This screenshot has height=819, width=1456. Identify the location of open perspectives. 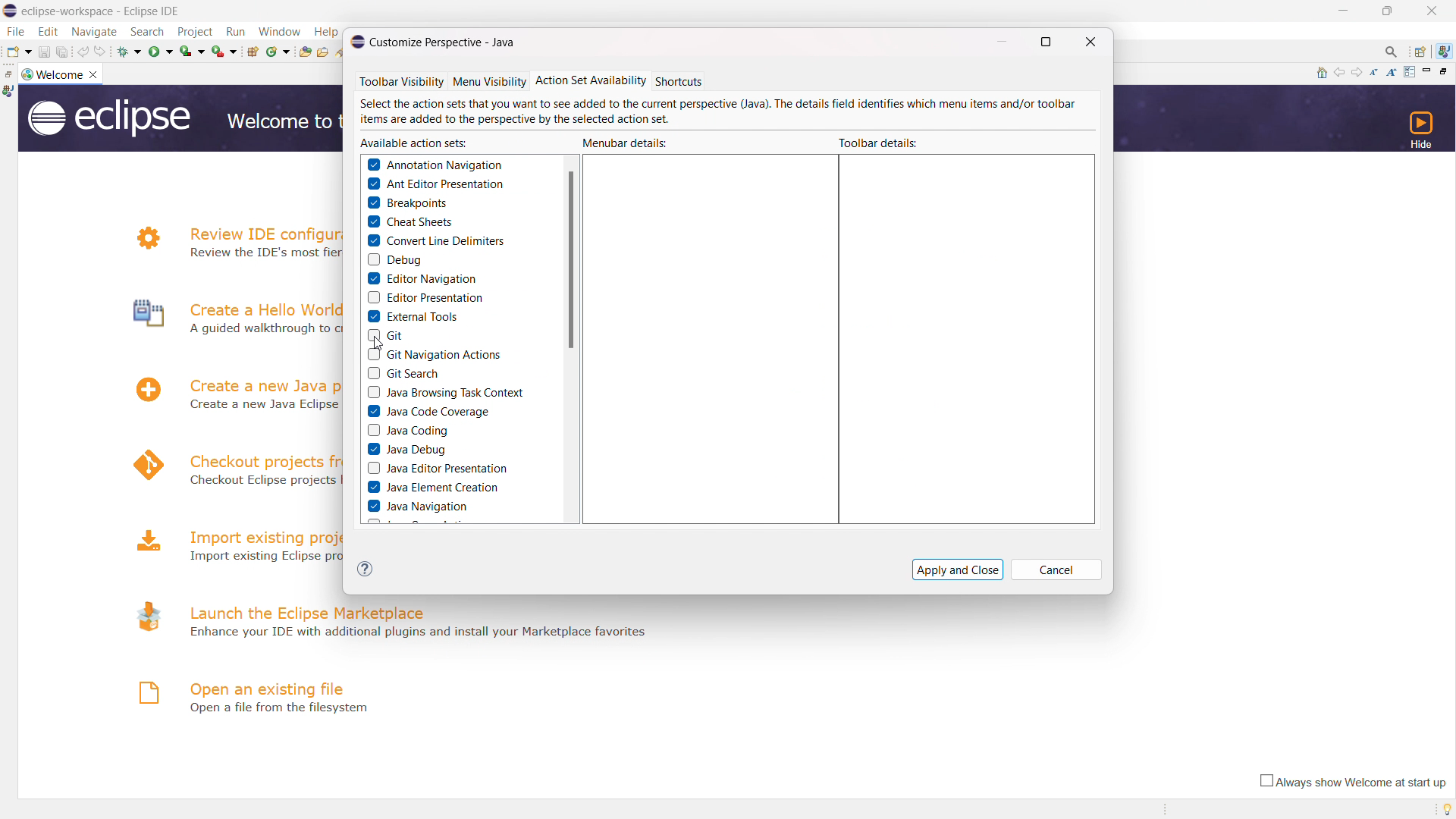
(1420, 52).